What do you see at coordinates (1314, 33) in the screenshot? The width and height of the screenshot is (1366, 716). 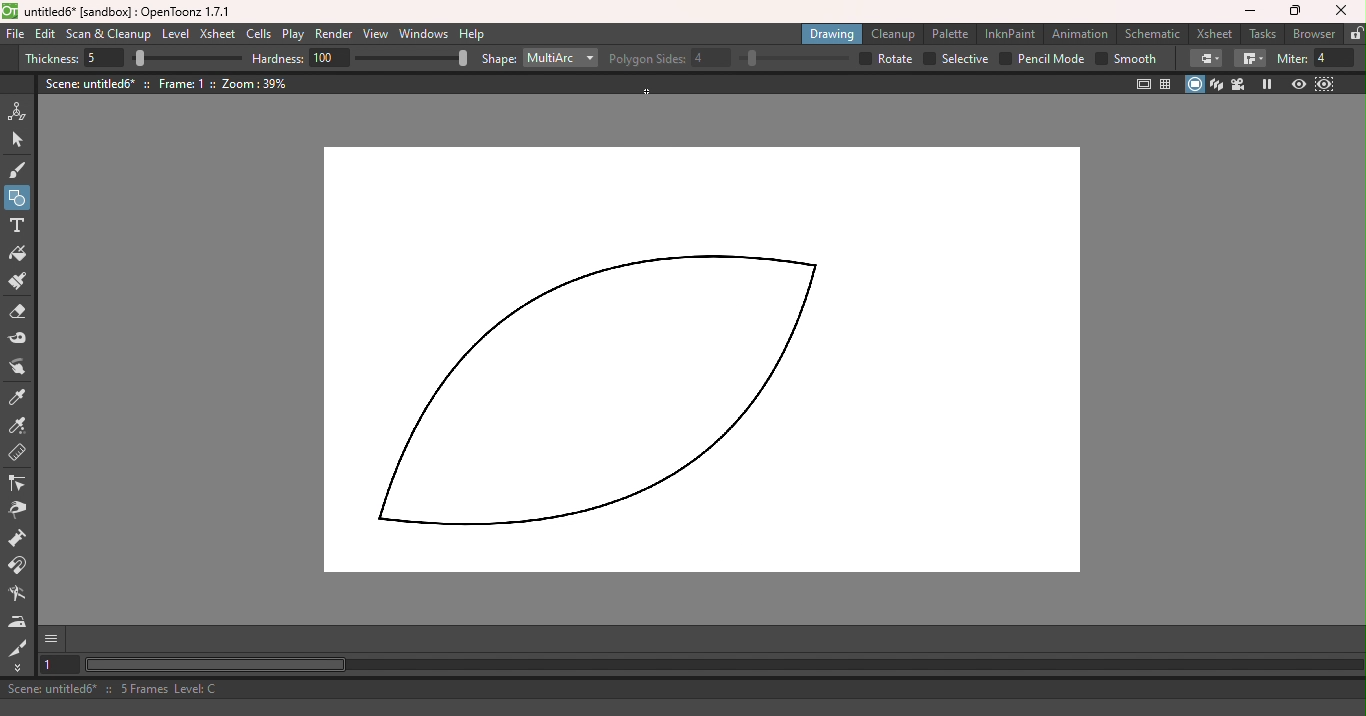 I see `Browser` at bounding box center [1314, 33].